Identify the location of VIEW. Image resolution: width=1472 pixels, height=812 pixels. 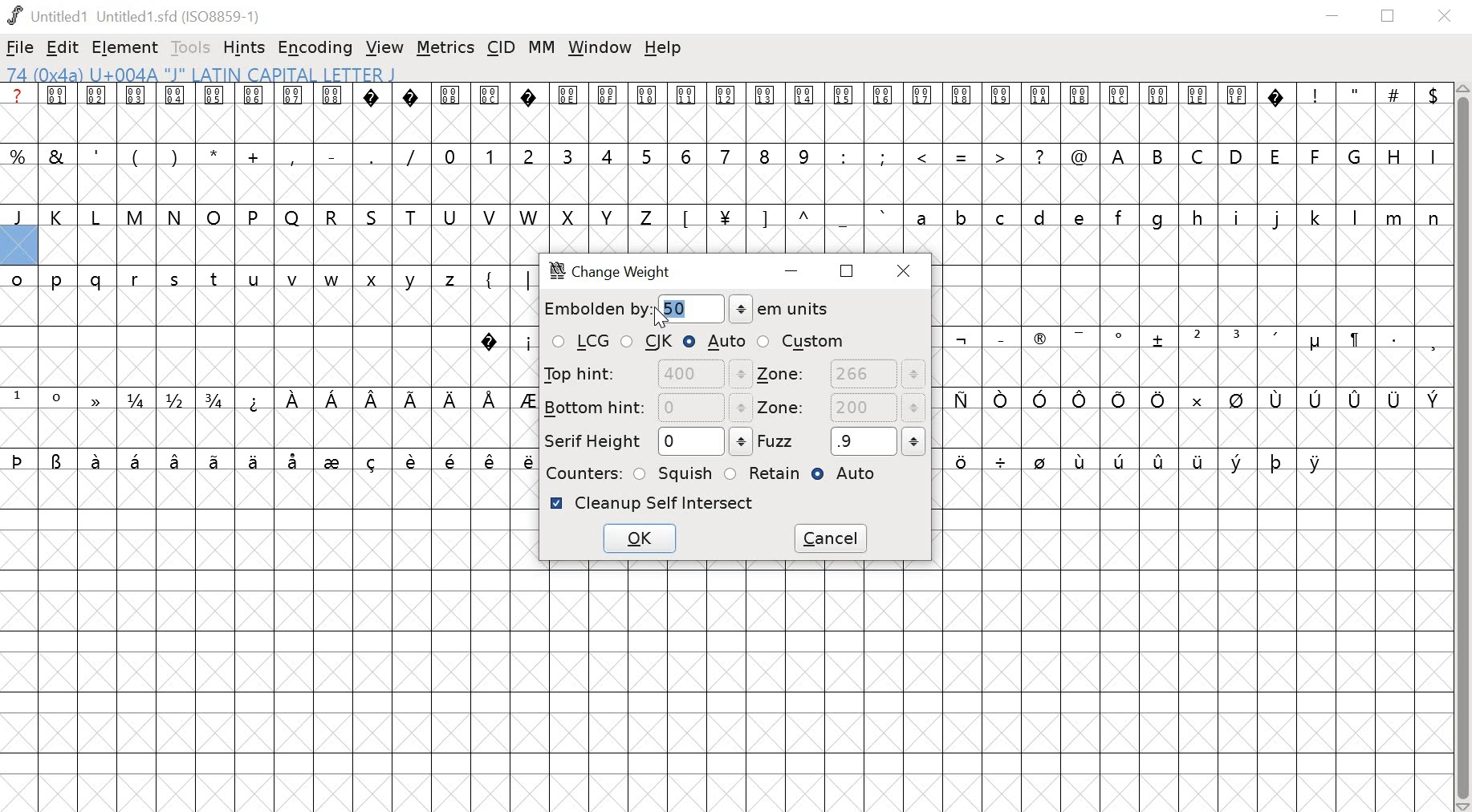
(384, 49).